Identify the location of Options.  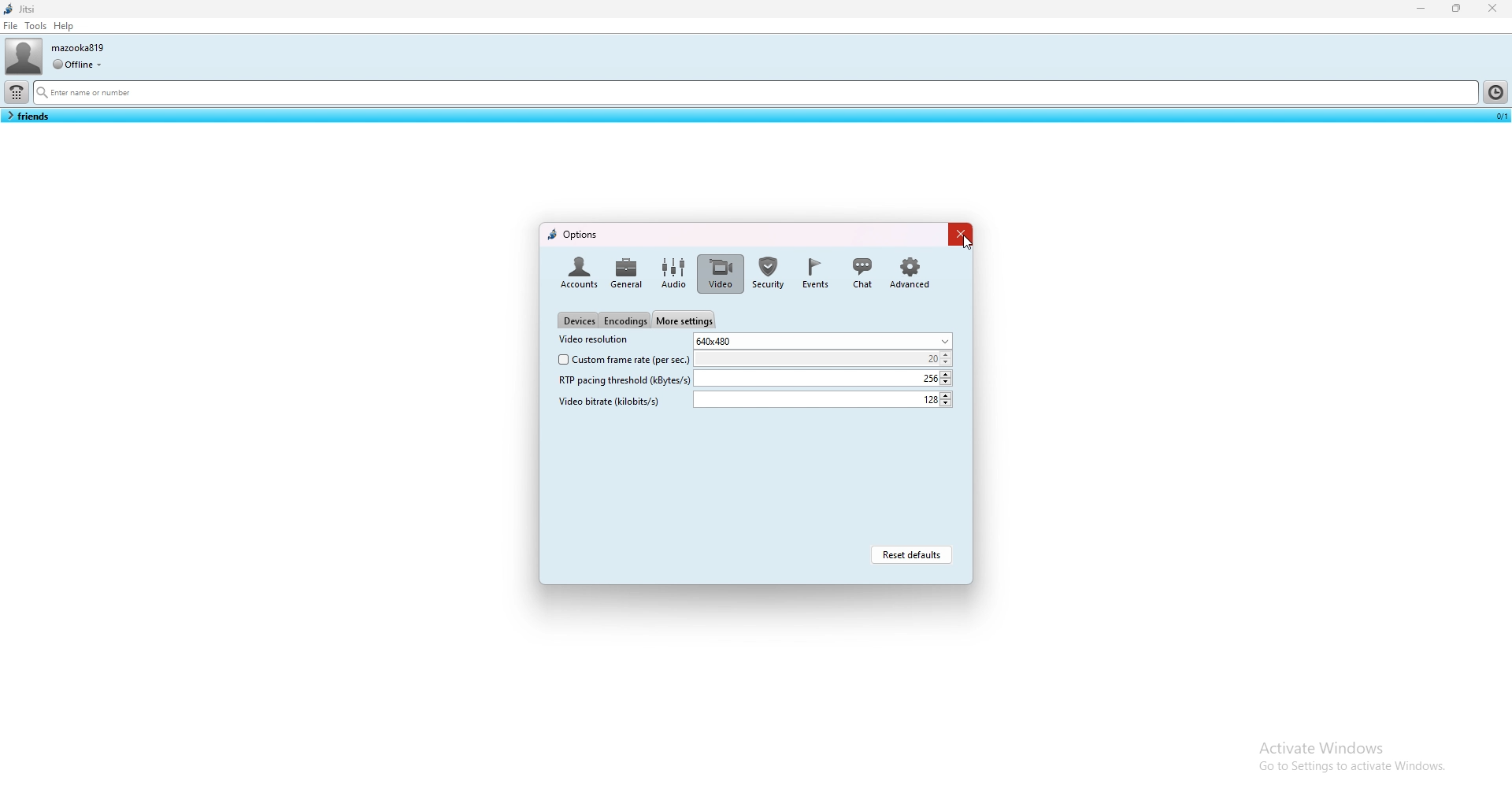
(574, 233).